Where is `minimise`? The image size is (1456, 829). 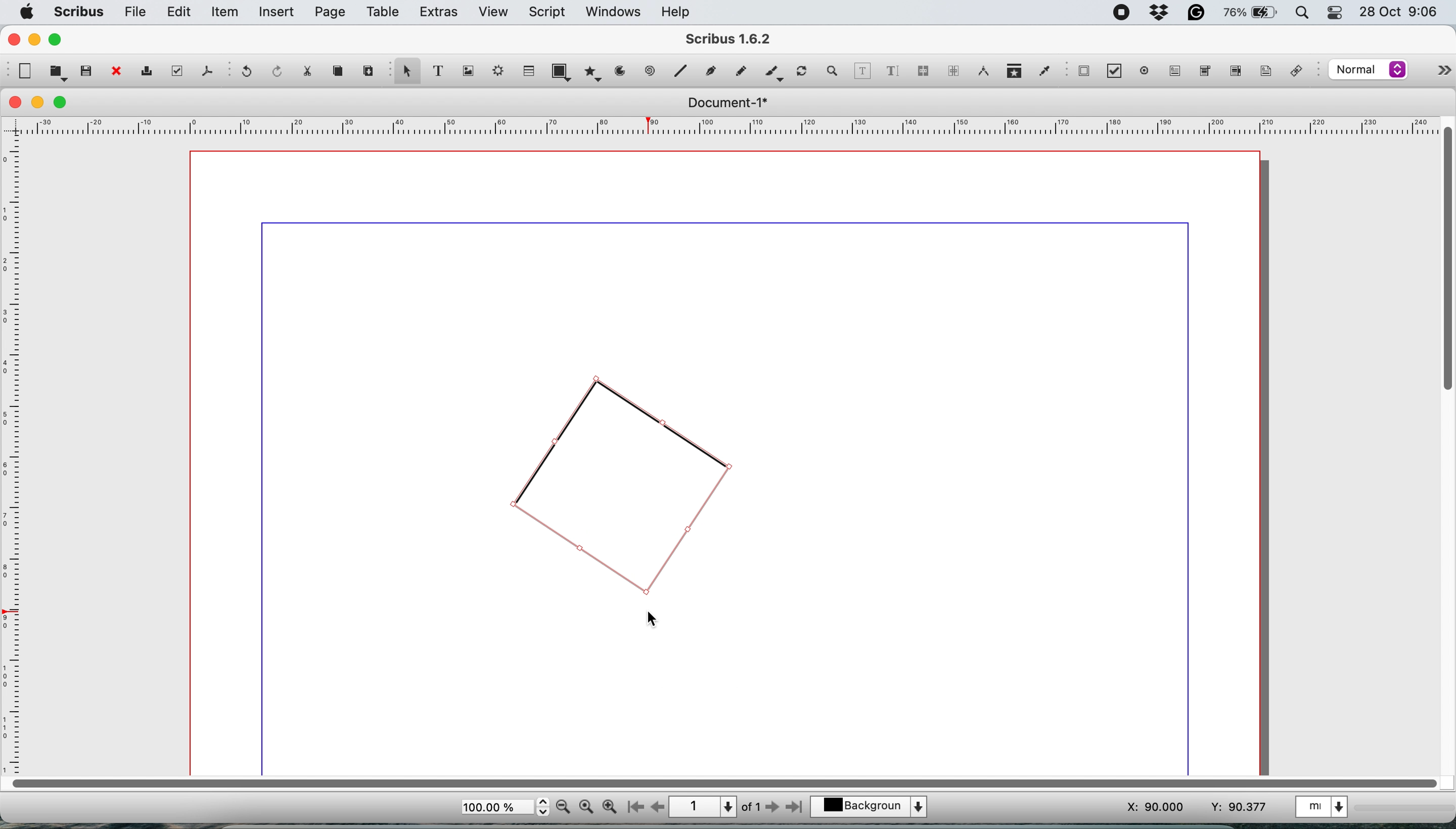
minimise is located at coordinates (35, 40).